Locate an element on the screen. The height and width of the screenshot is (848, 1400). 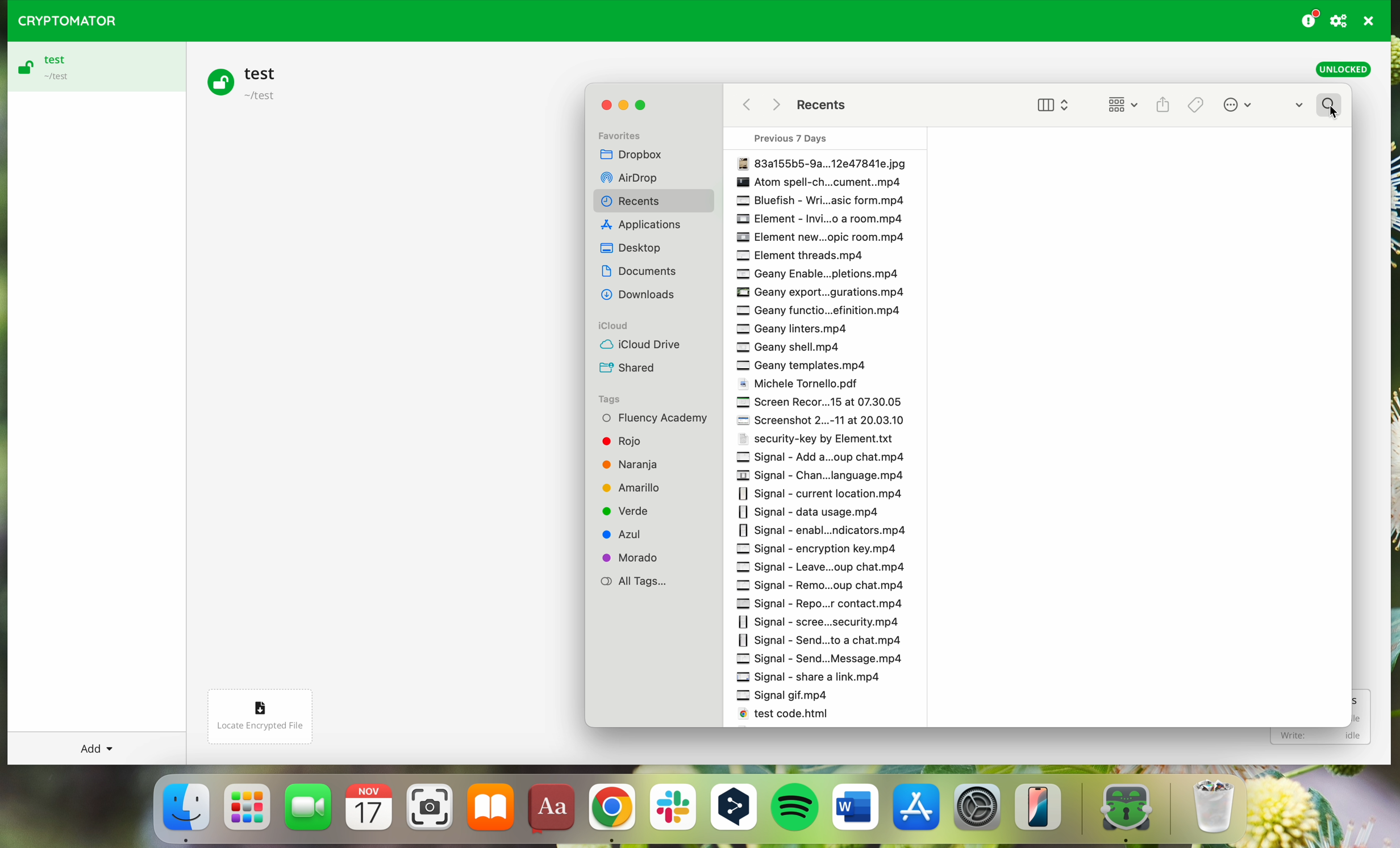
Tags is located at coordinates (1197, 107).